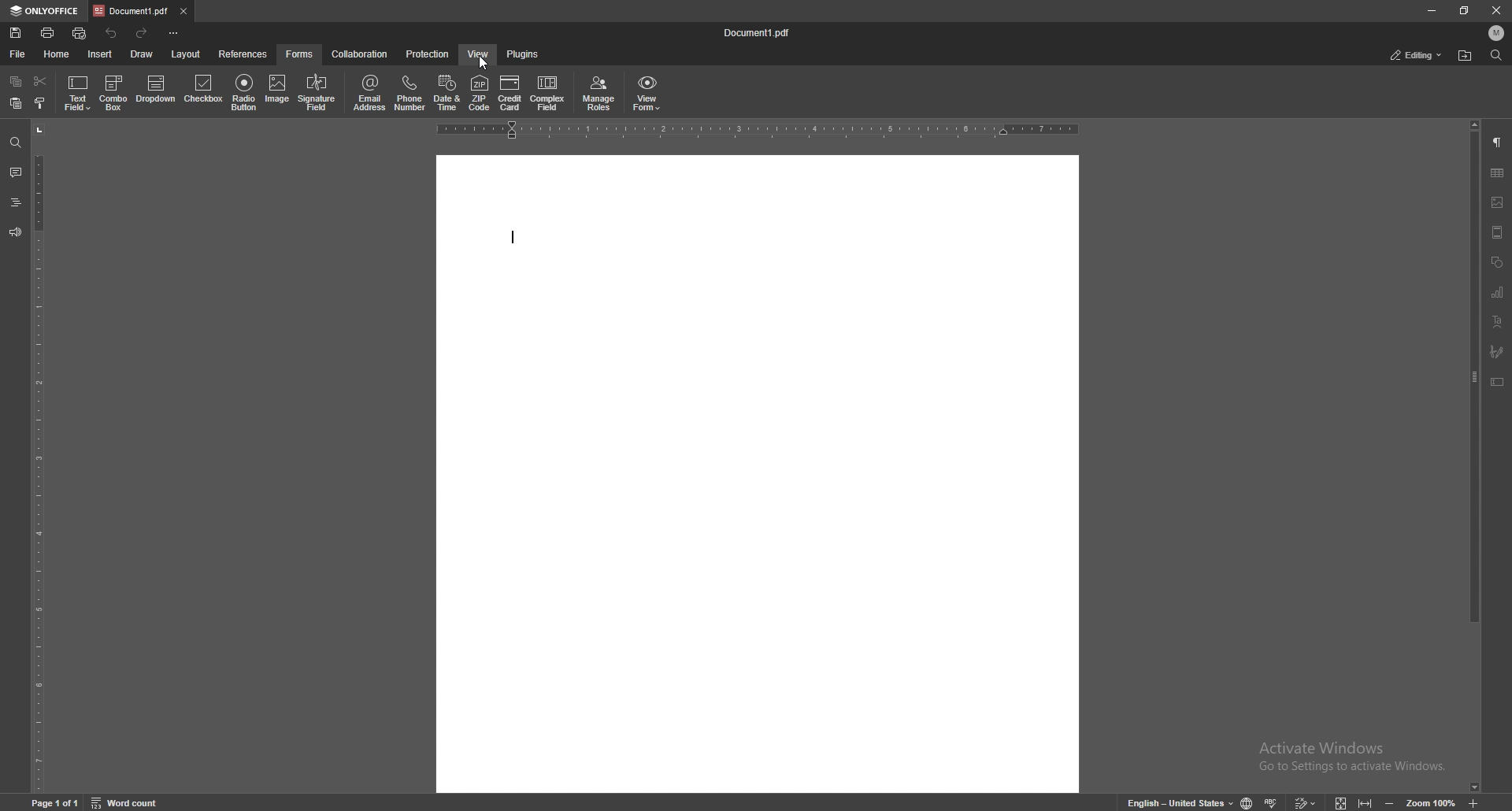 The width and height of the screenshot is (1512, 811). I want to click on copy style, so click(40, 102).